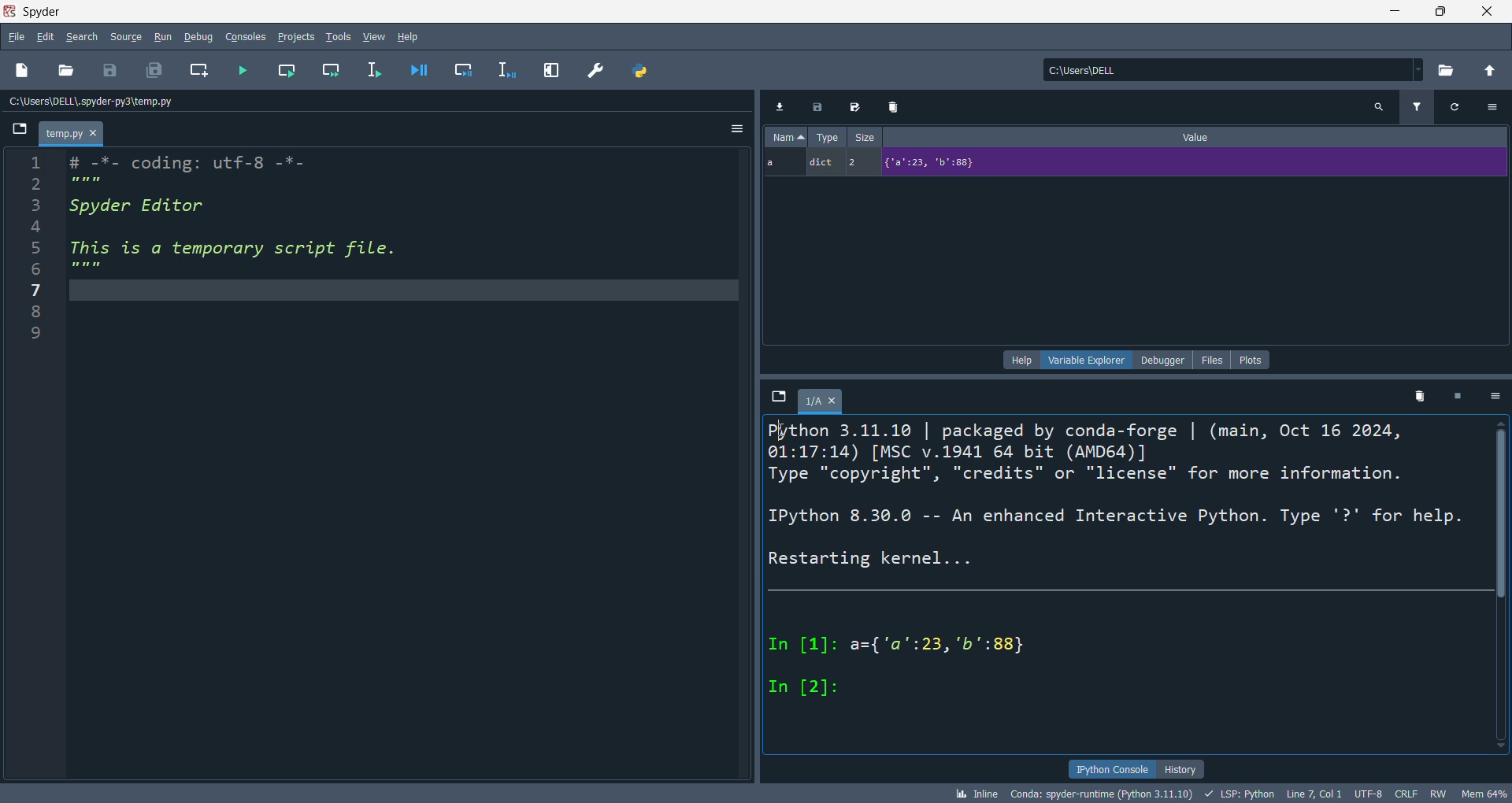  Describe the element at coordinates (642, 72) in the screenshot. I see `path manager` at that location.